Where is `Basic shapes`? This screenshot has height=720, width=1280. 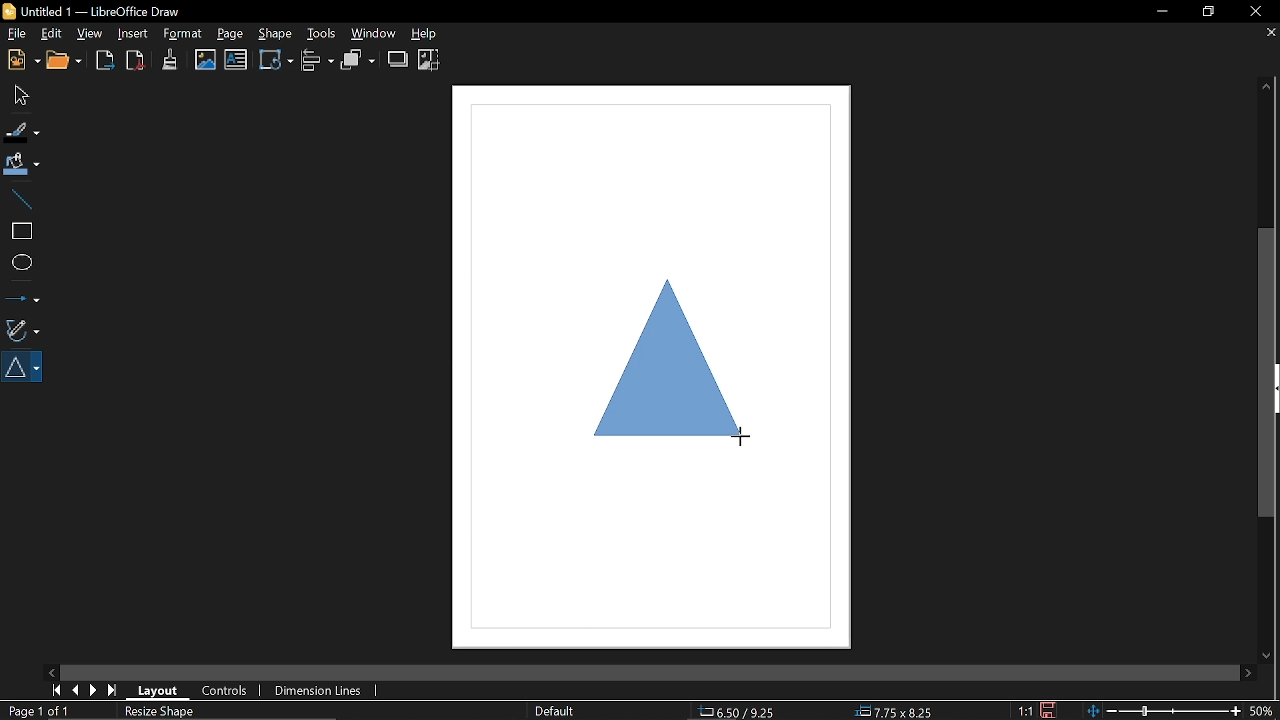 Basic shapes is located at coordinates (24, 367).